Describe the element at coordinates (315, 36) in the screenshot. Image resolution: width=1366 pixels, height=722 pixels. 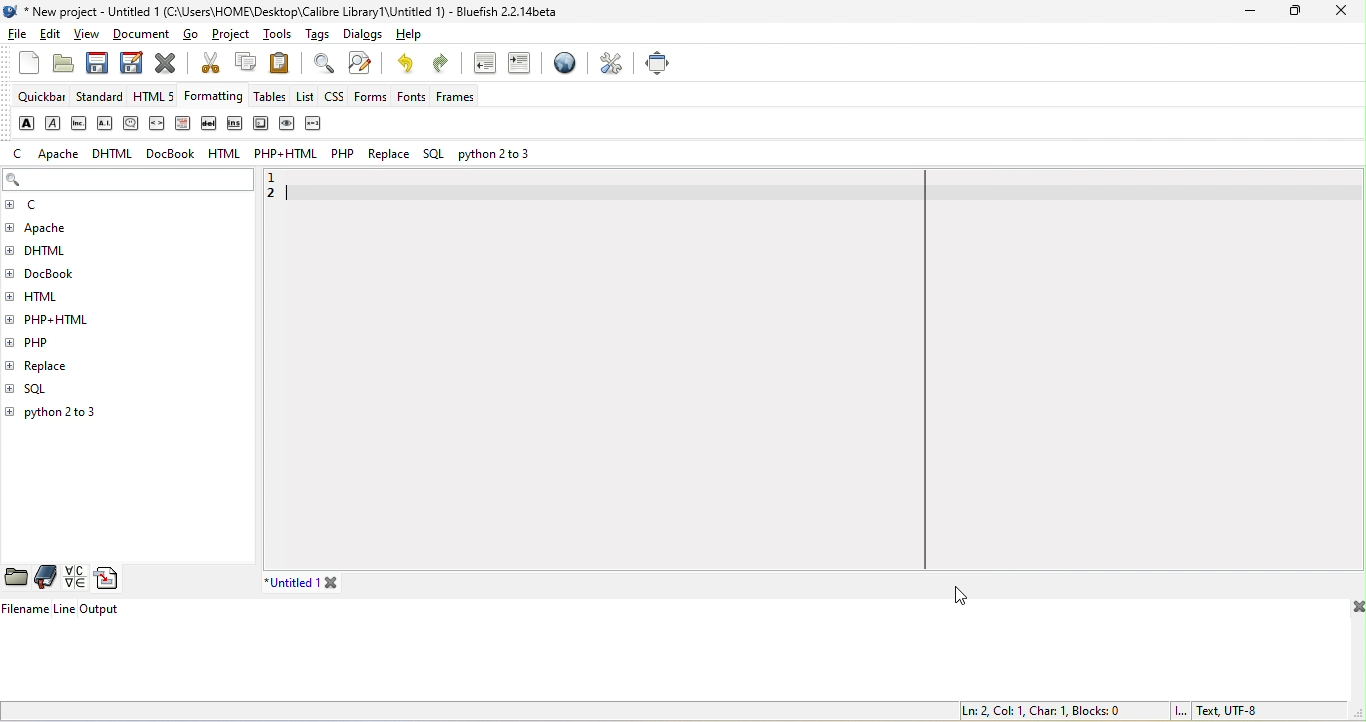
I see `tags` at that location.